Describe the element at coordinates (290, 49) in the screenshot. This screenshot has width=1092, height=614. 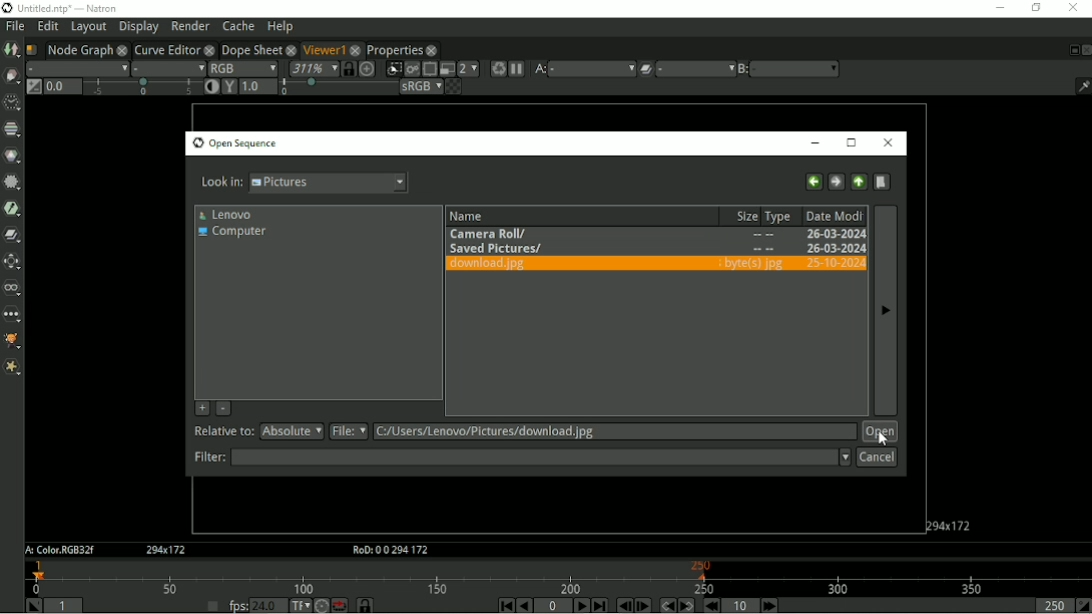
I see `close` at that location.